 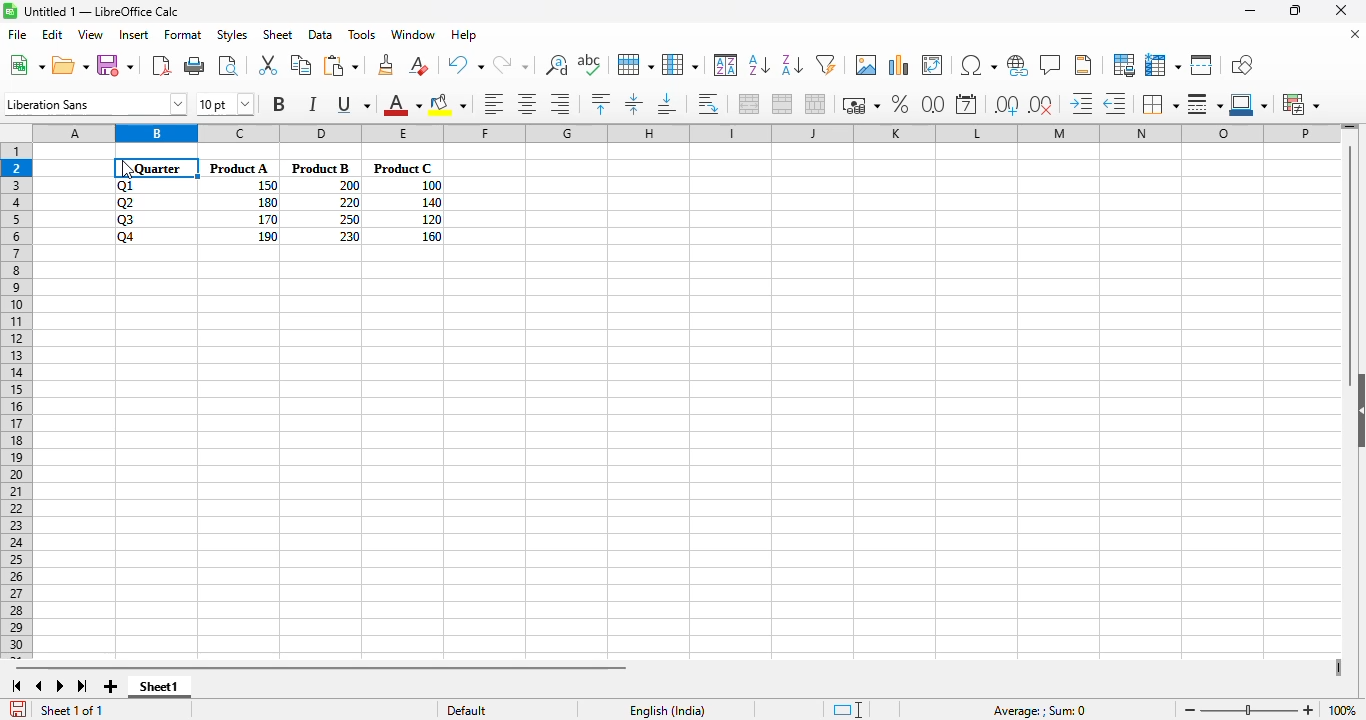 I want to click on 230, so click(x=349, y=237).